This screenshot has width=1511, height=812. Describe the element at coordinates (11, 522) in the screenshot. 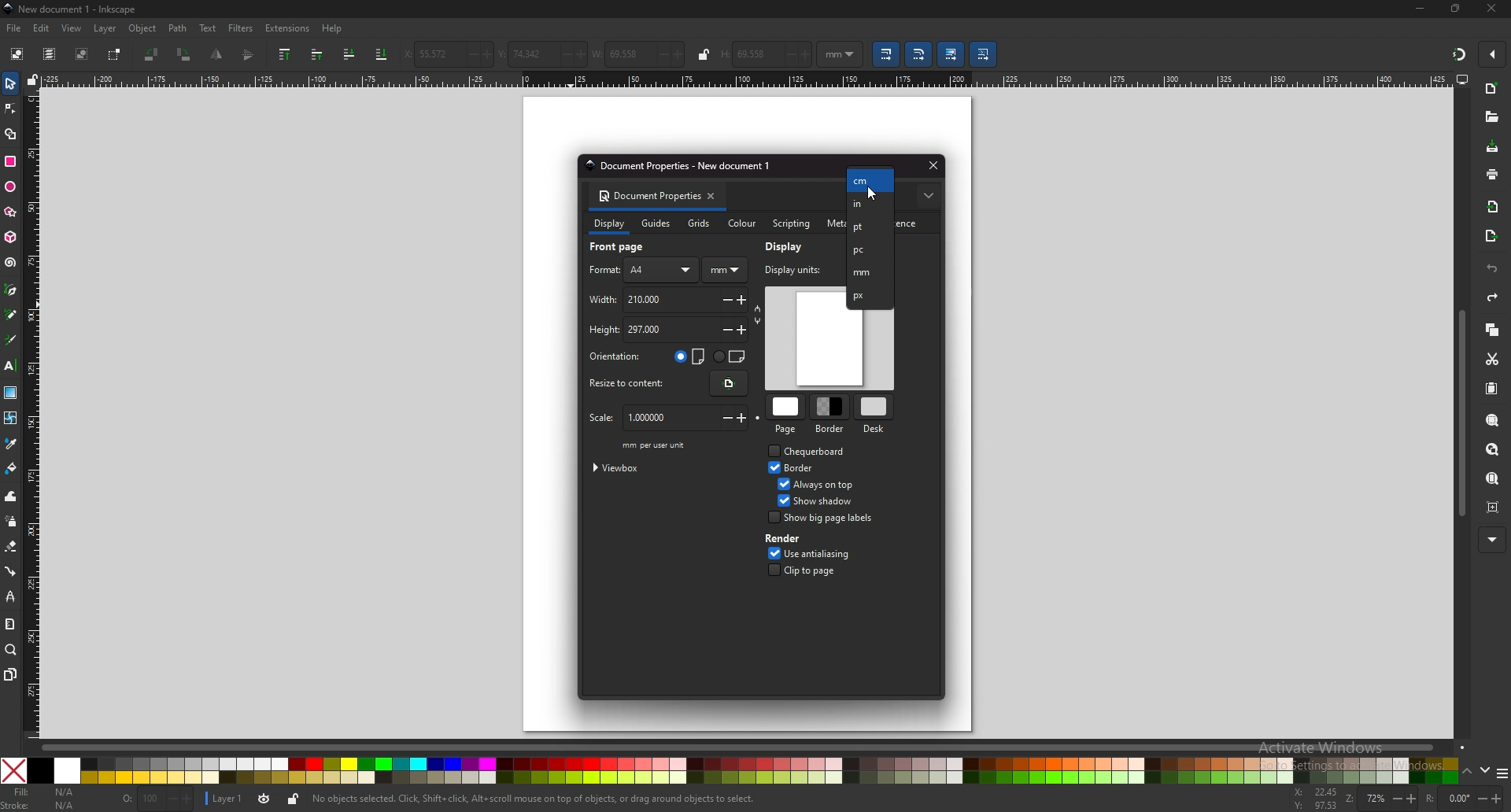

I see `spray` at that location.